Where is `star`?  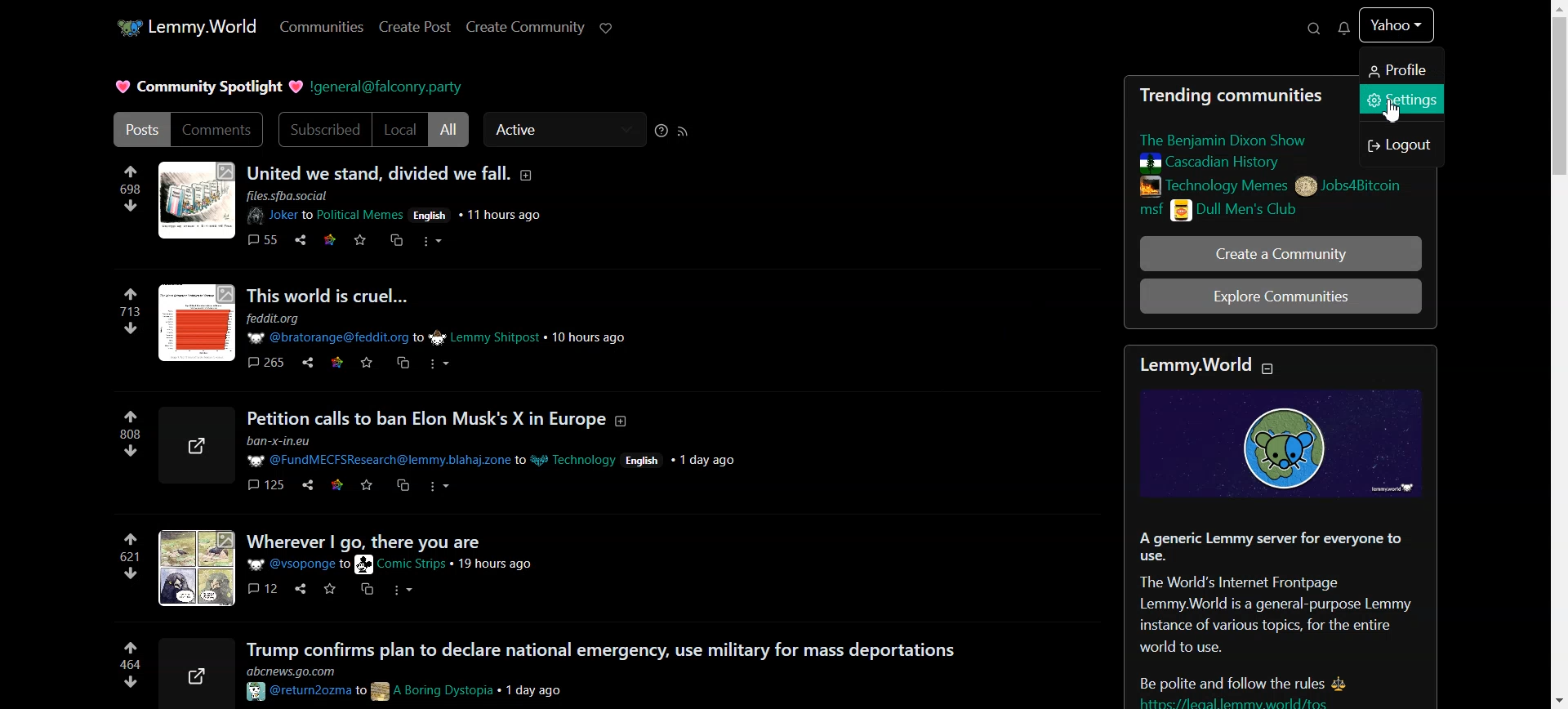 star is located at coordinates (331, 595).